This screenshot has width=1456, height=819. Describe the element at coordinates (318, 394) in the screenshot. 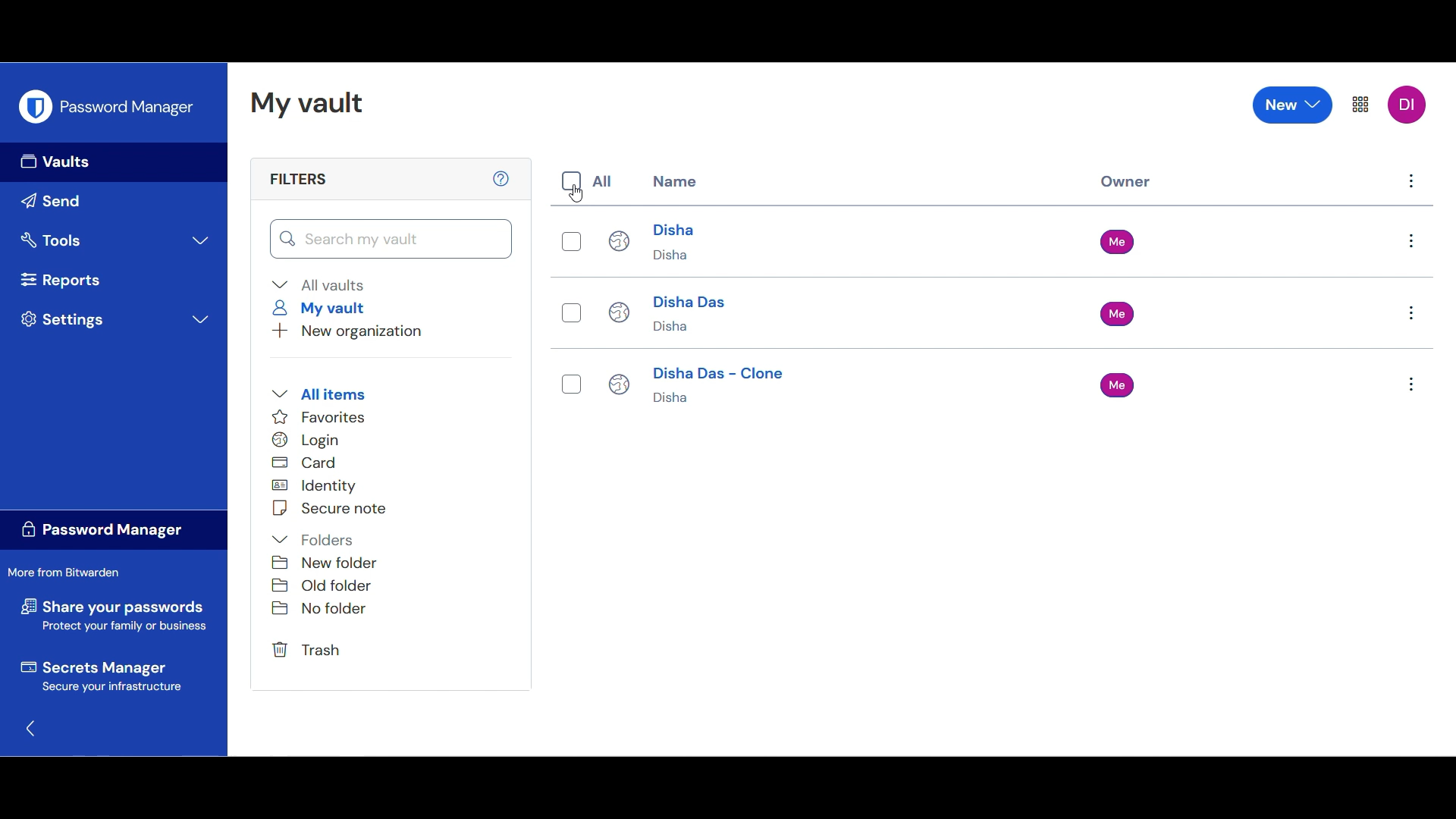

I see `Collapse all items` at that location.